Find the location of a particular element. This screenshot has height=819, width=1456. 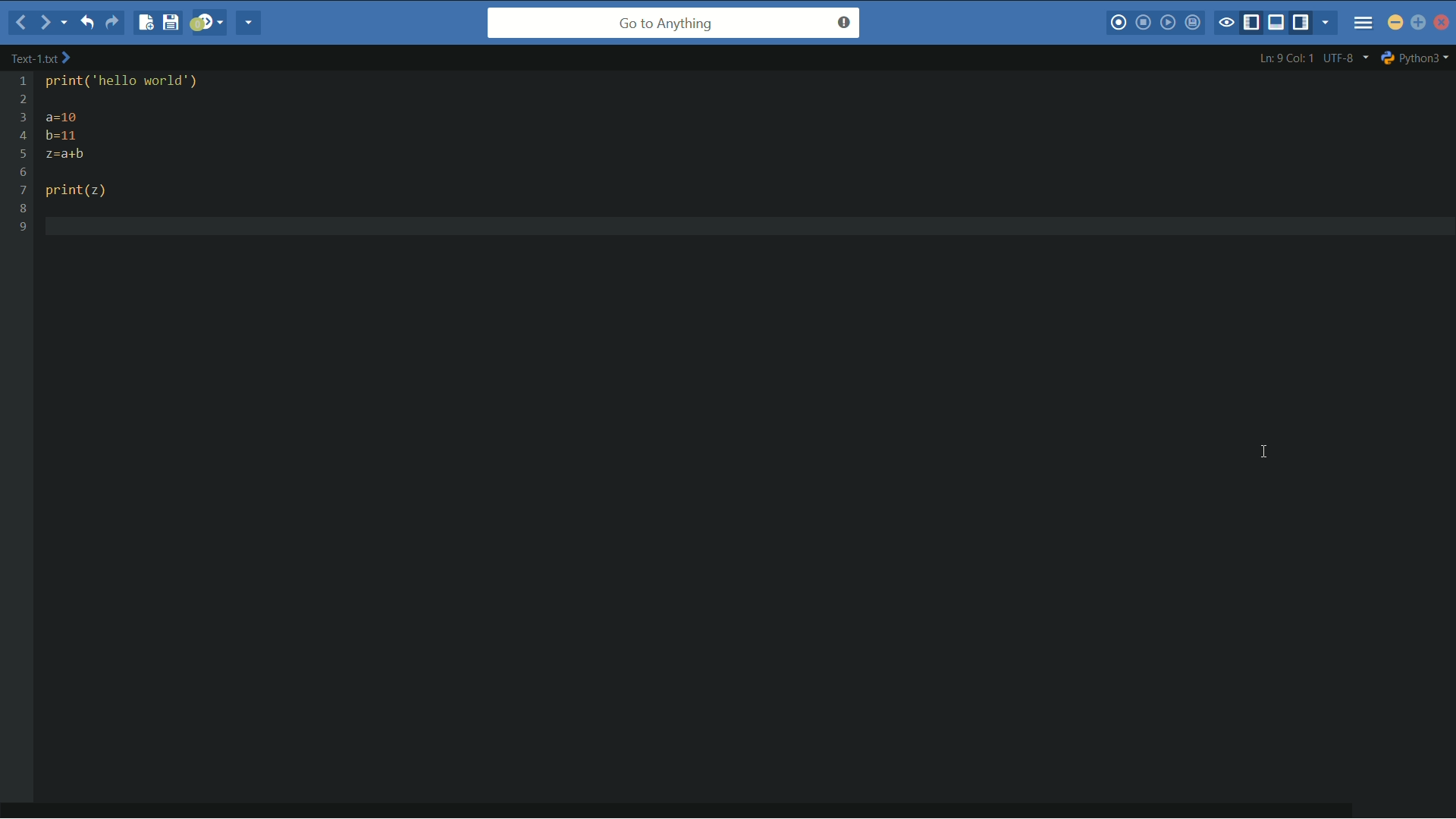

save file is located at coordinates (171, 23).